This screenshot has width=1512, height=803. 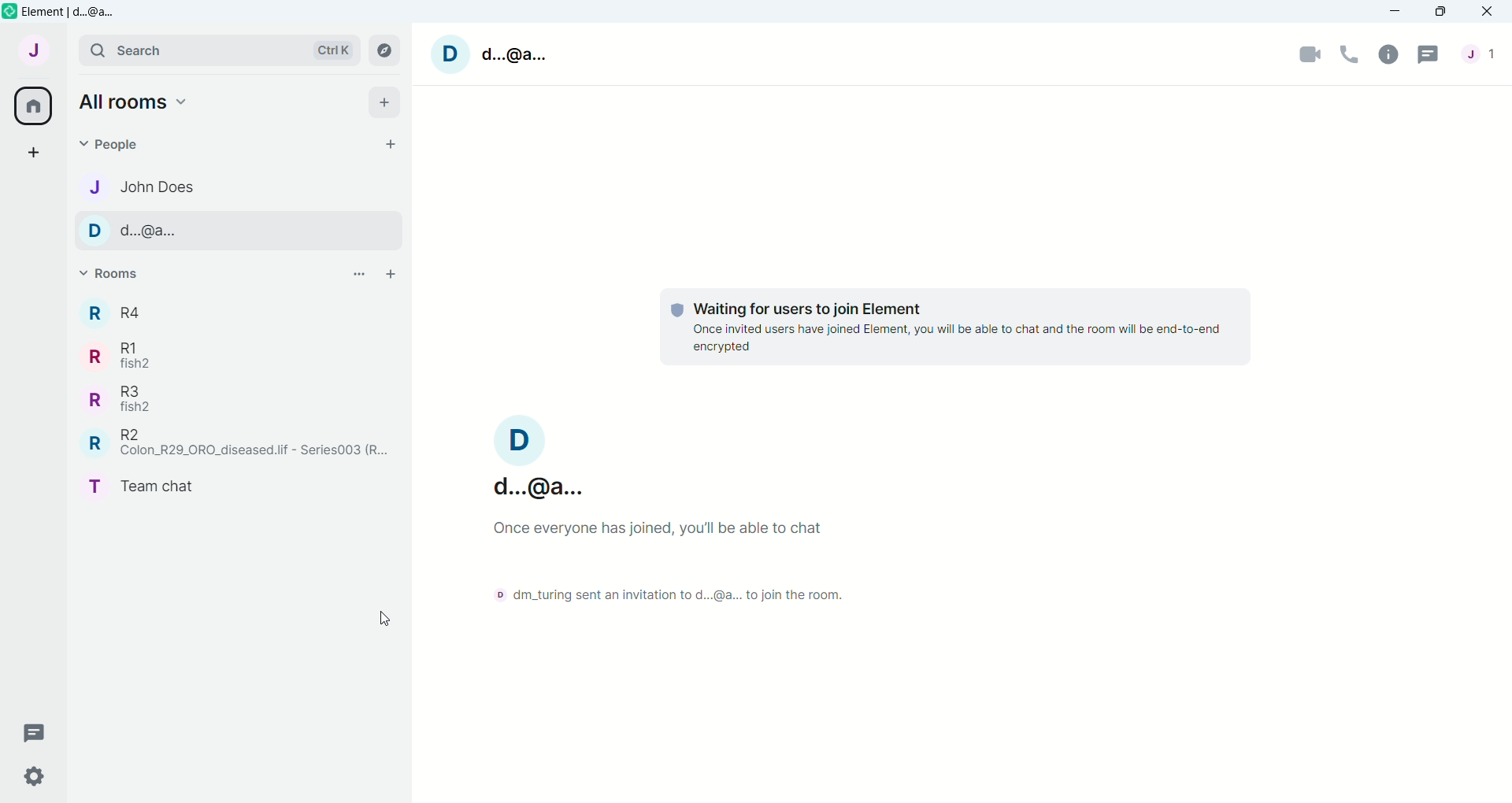 What do you see at coordinates (451, 54) in the screenshot?
I see `D` at bounding box center [451, 54].